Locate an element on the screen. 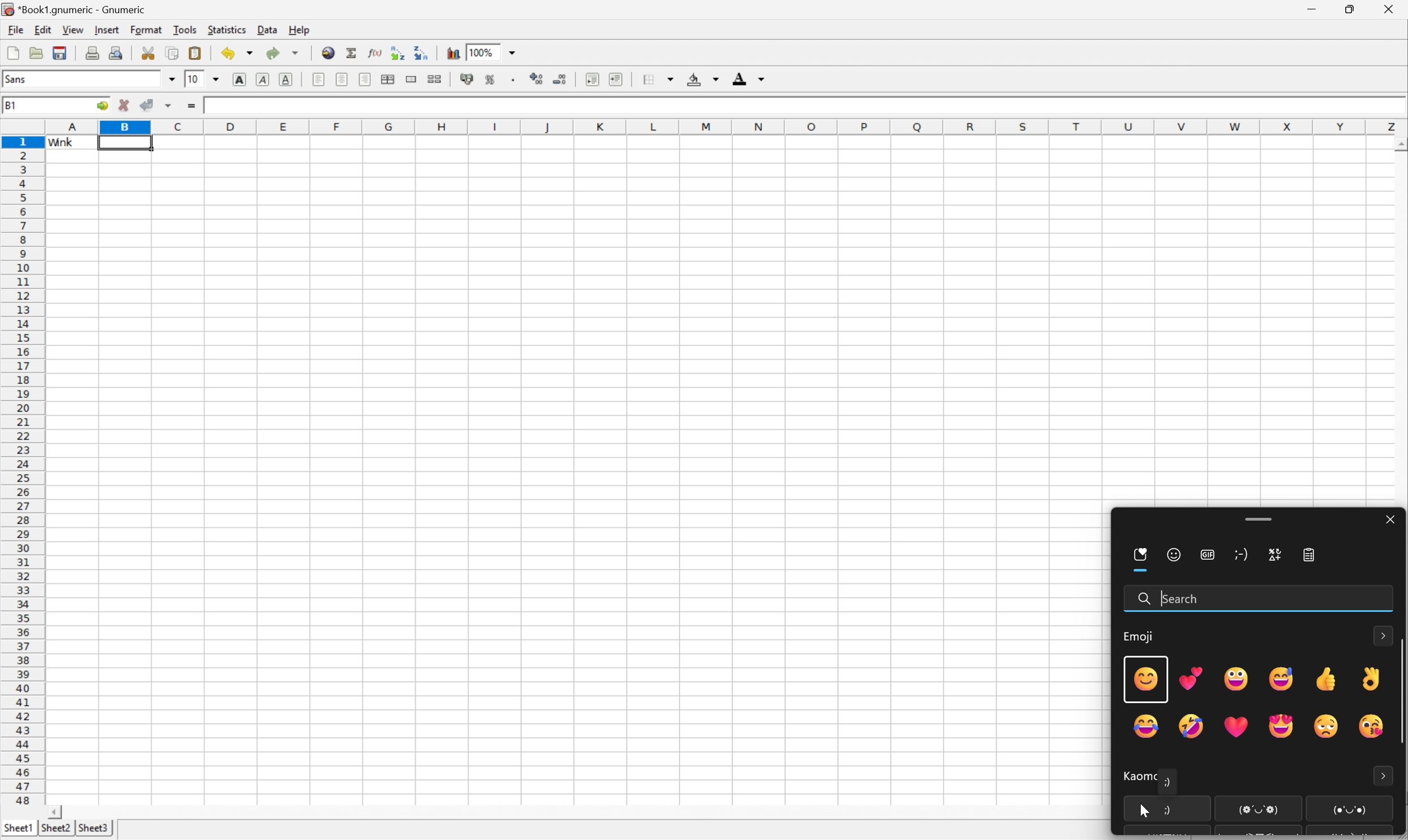 This screenshot has width=1408, height=840. insert hyperlink is located at coordinates (328, 53).